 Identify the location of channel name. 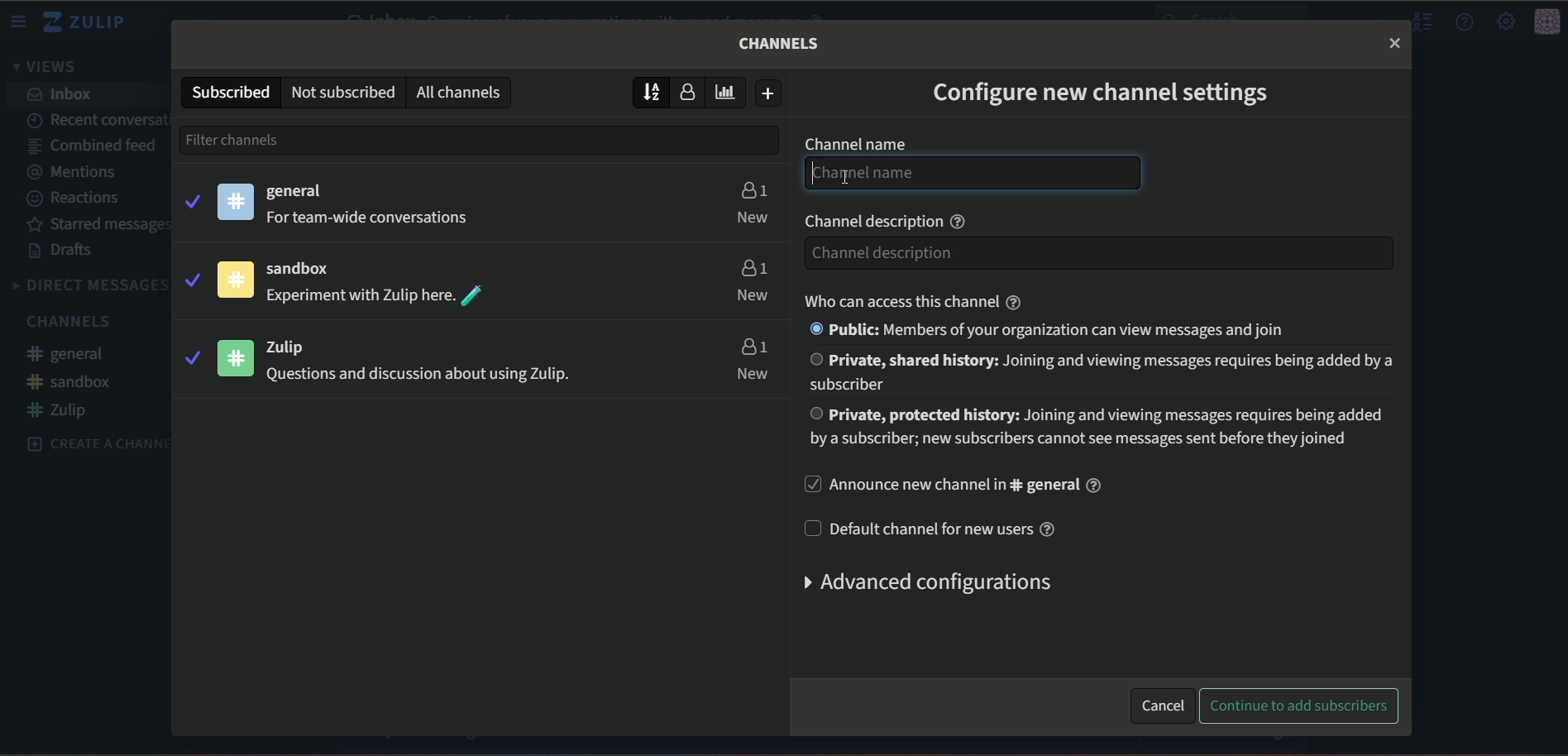
(854, 144).